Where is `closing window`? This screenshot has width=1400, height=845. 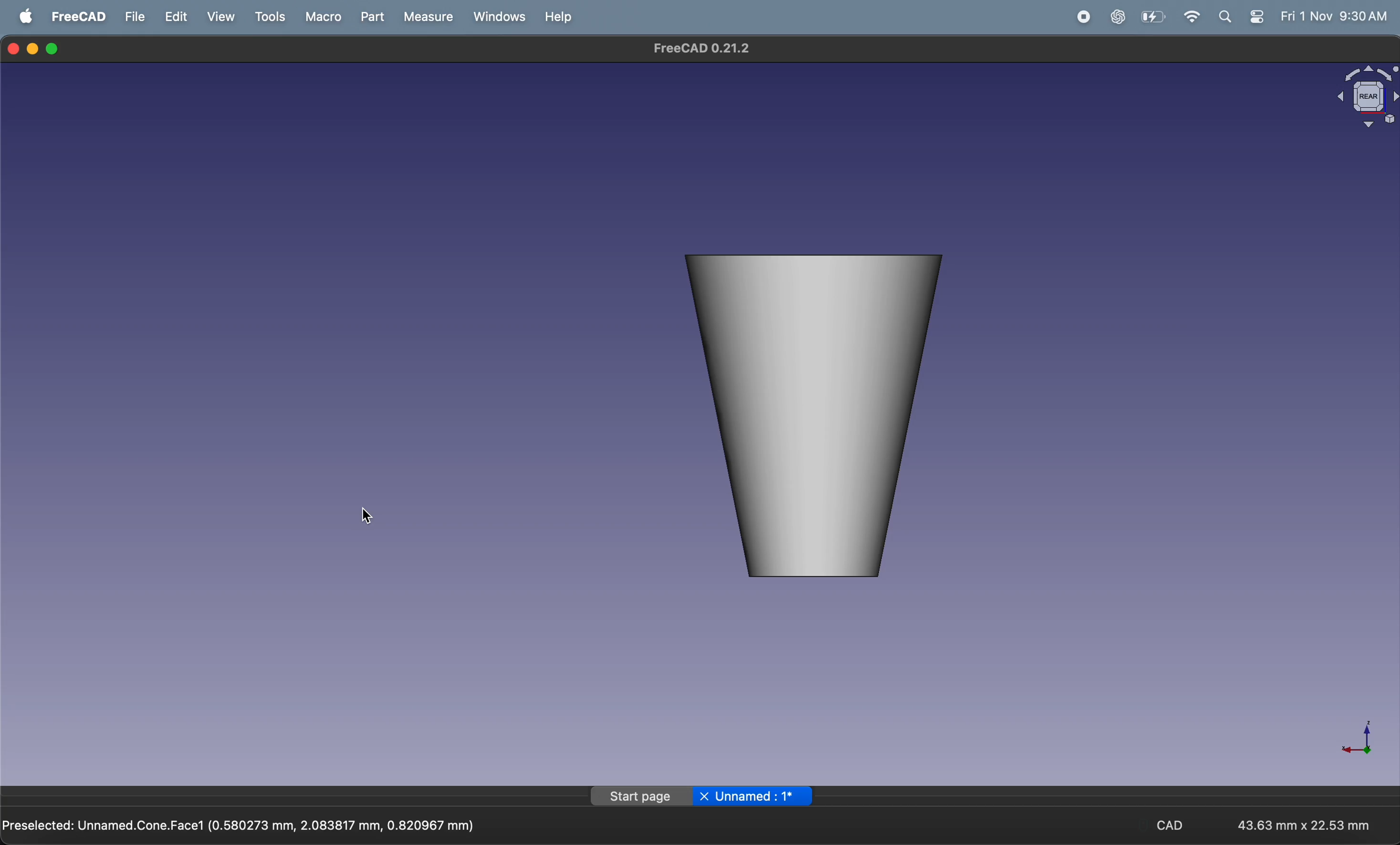
closing window is located at coordinates (14, 48).